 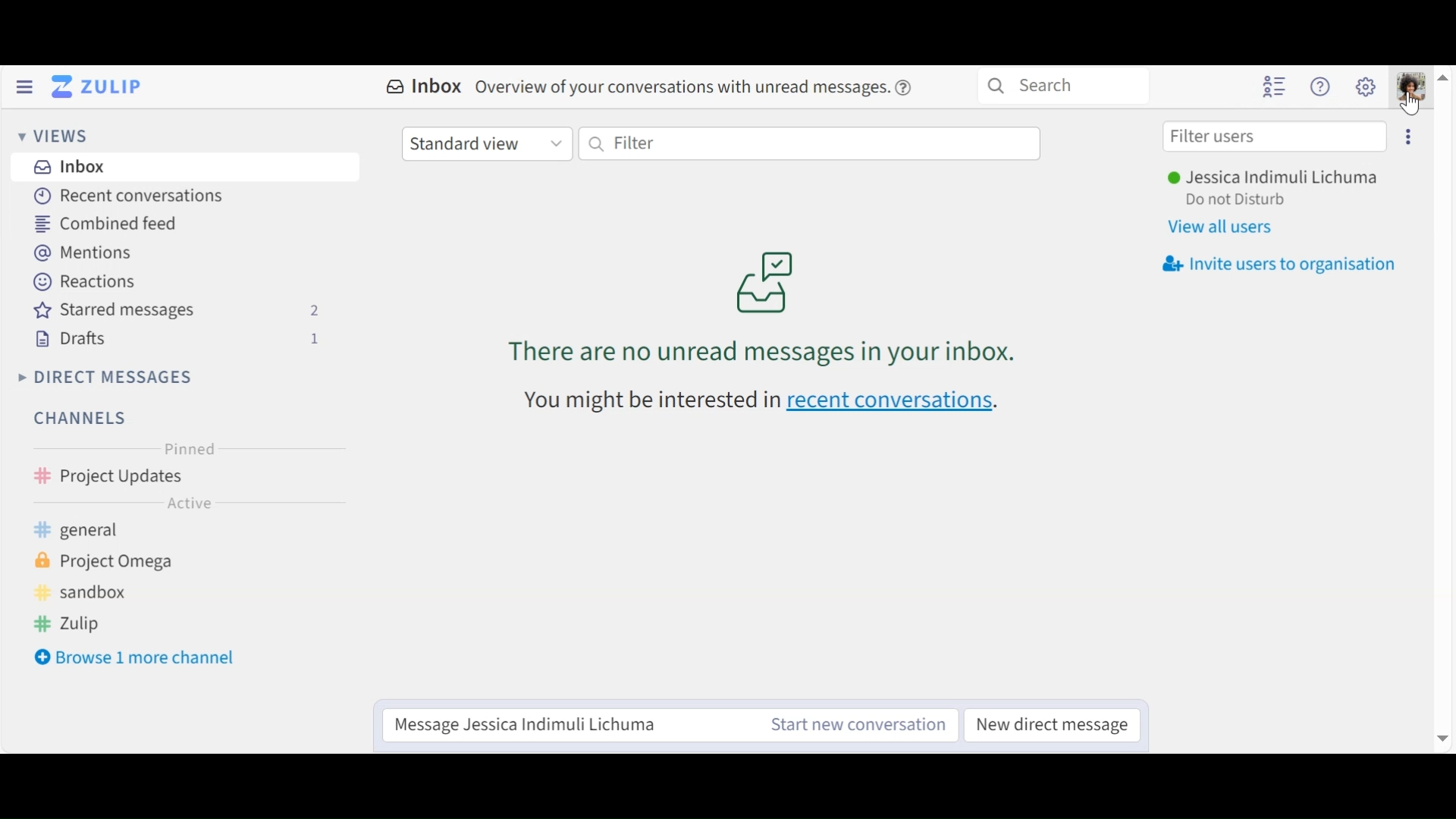 What do you see at coordinates (86, 419) in the screenshot?
I see `Channels` at bounding box center [86, 419].